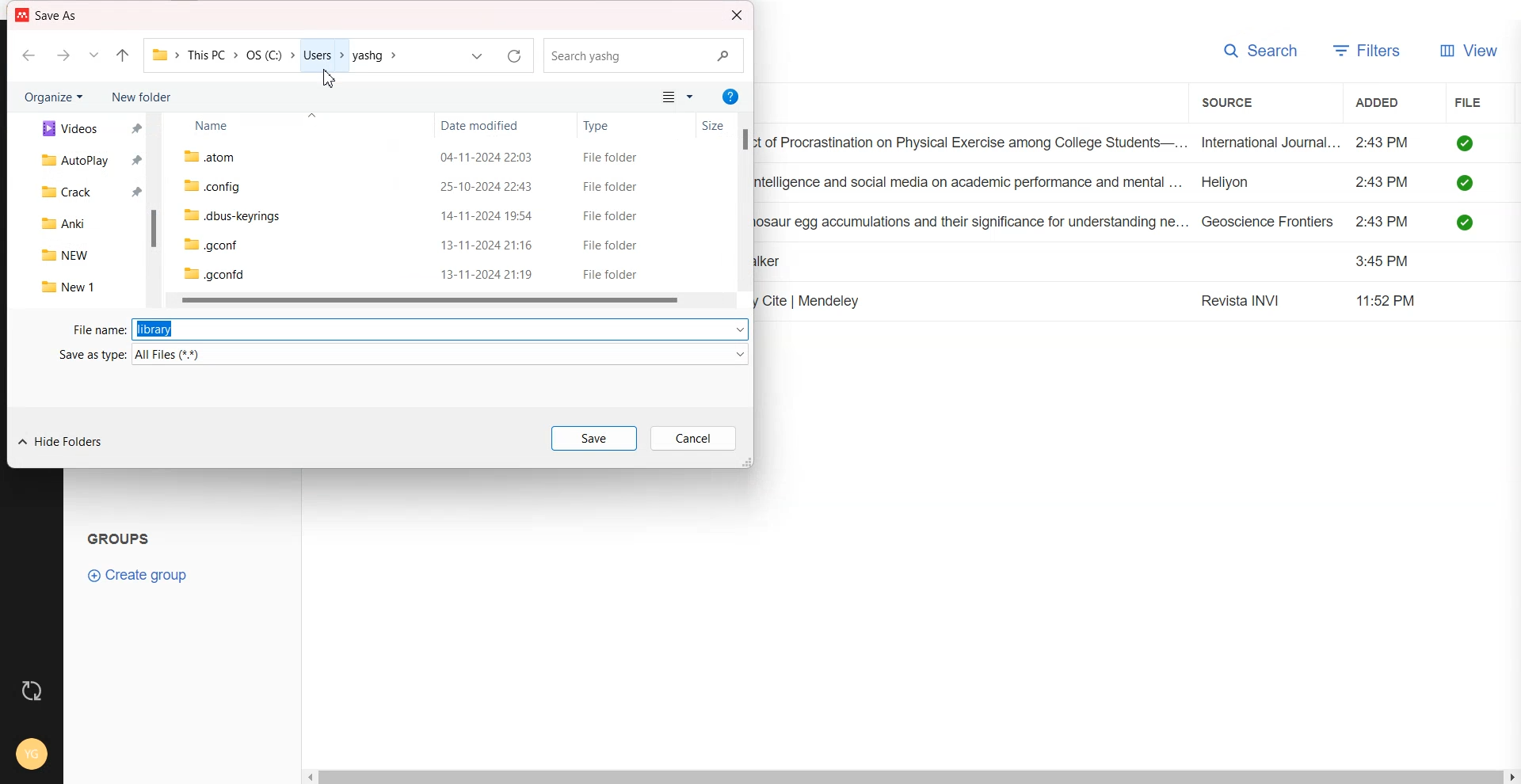  I want to click on Source, so click(1235, 103).